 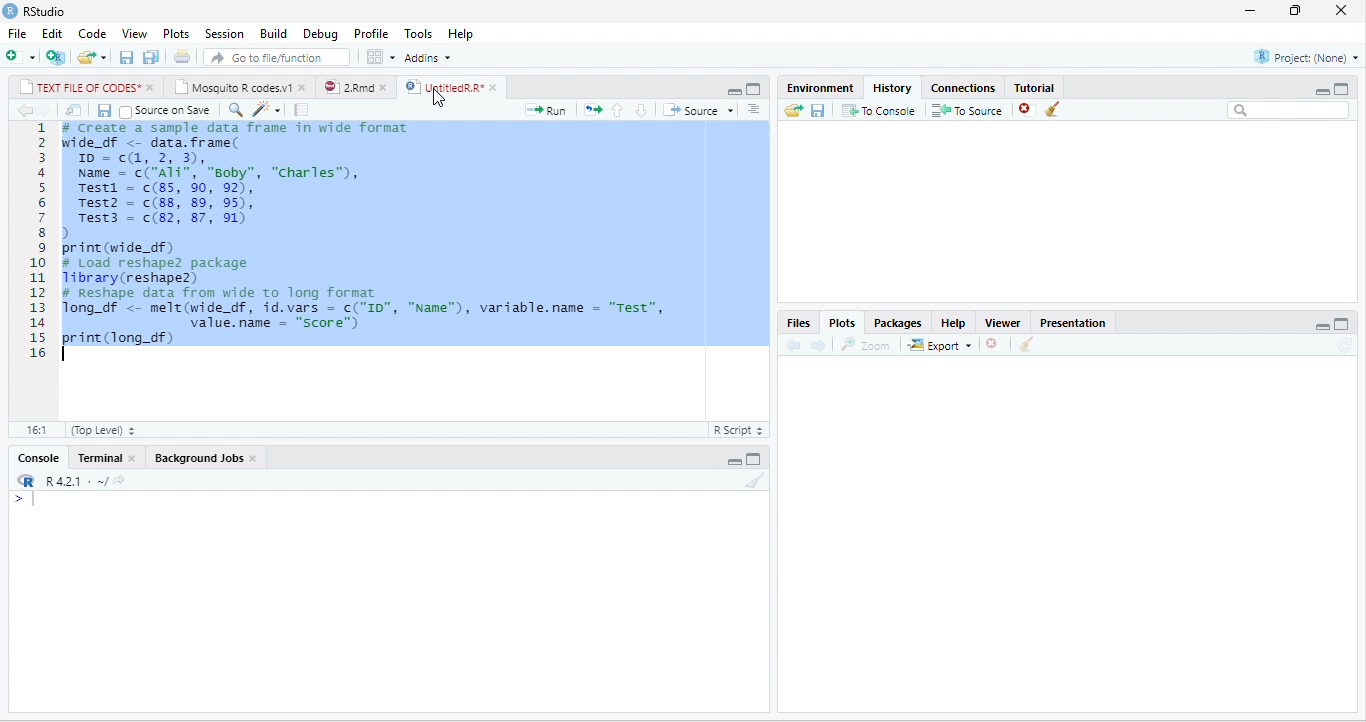 I want to click on # Reshape data from wide to long format

Tong_df <- melt(wide_df, id.vars = c("ID", "Name"), variable.name = "Test",
value.name = “score”)

print(long_df), so click(x=376, y=316).